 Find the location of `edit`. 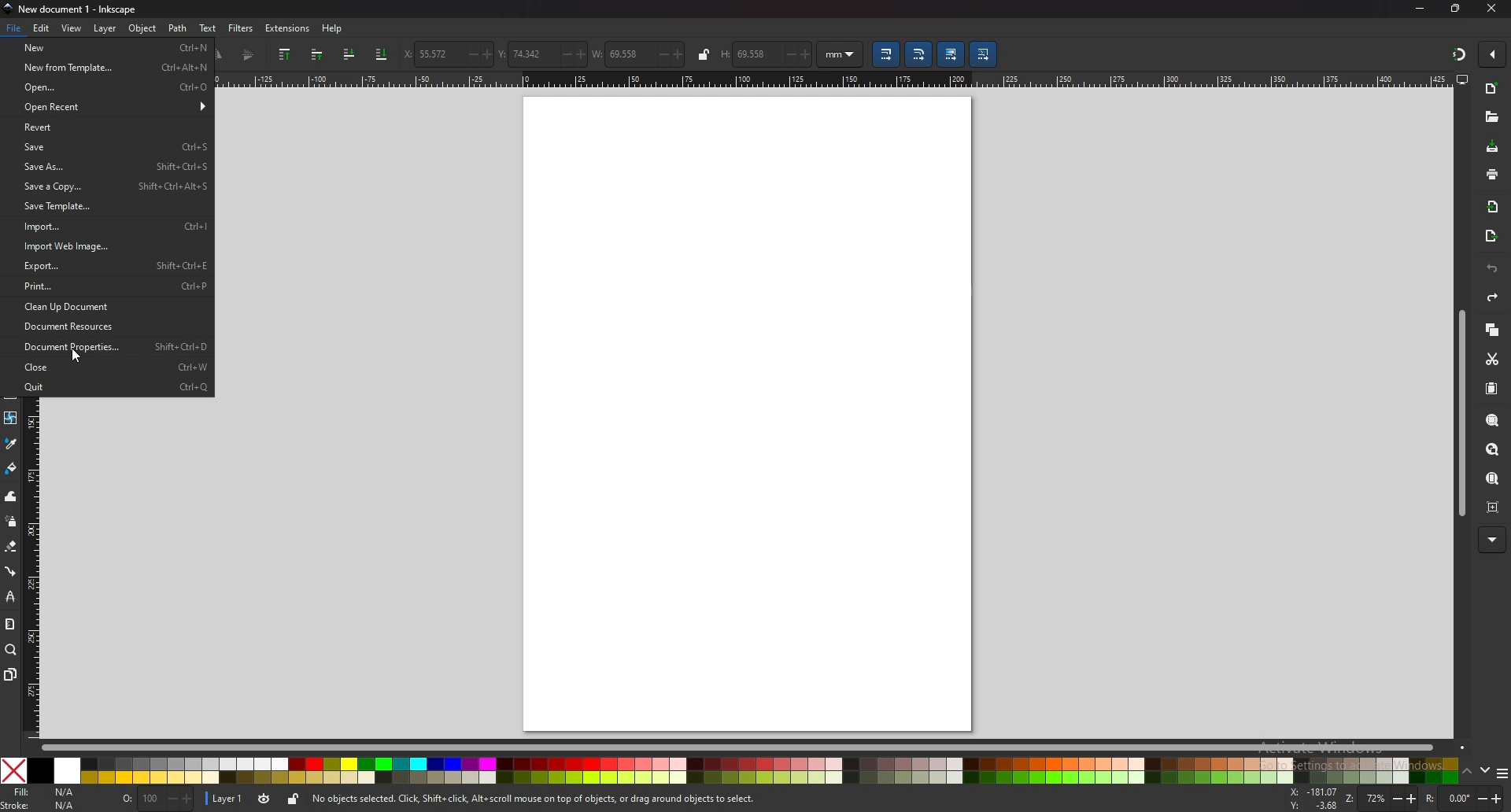

edit is located at coordinates (40, 28).